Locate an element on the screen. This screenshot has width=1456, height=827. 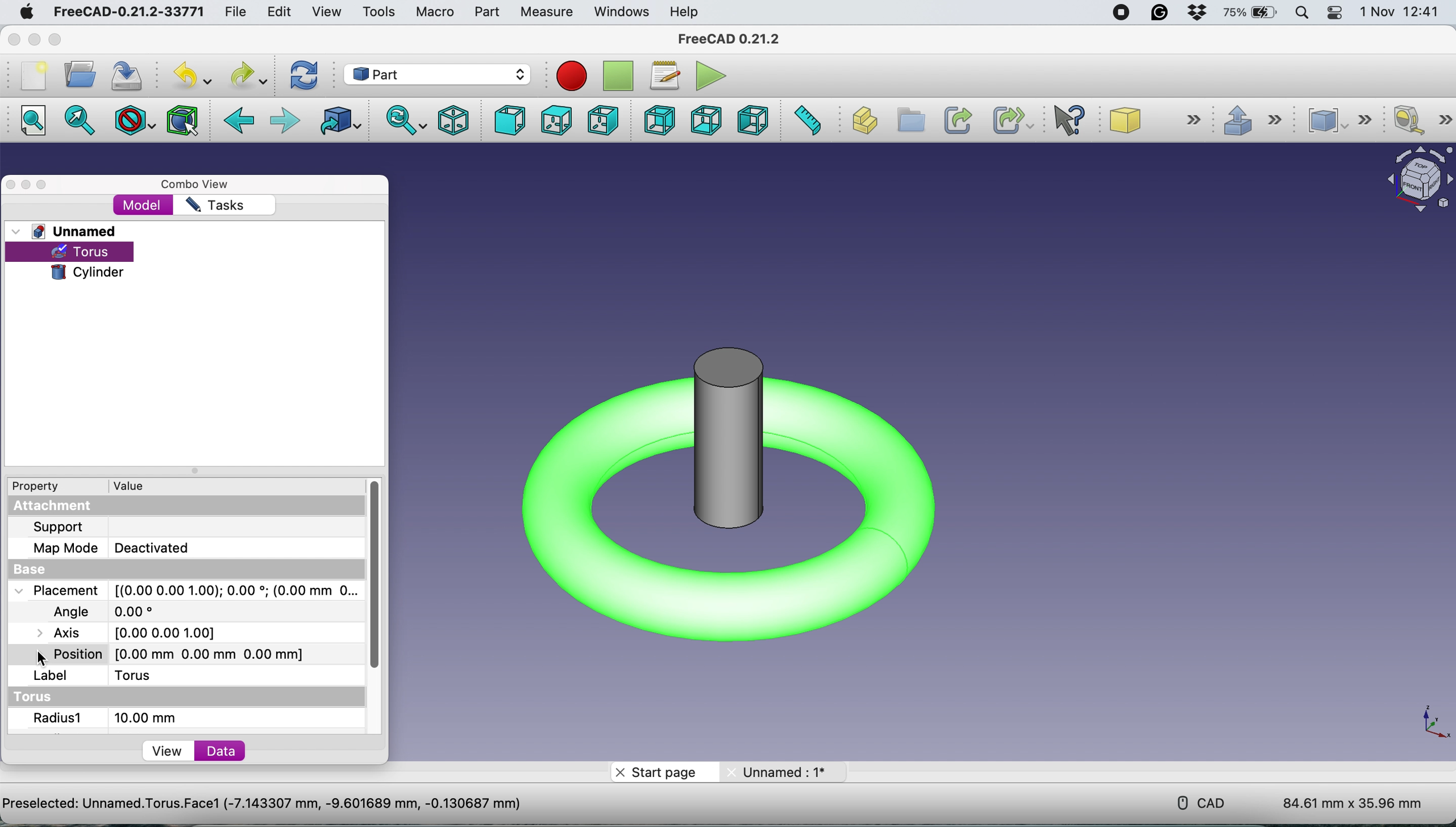
right is located at coordinates (601, 120).